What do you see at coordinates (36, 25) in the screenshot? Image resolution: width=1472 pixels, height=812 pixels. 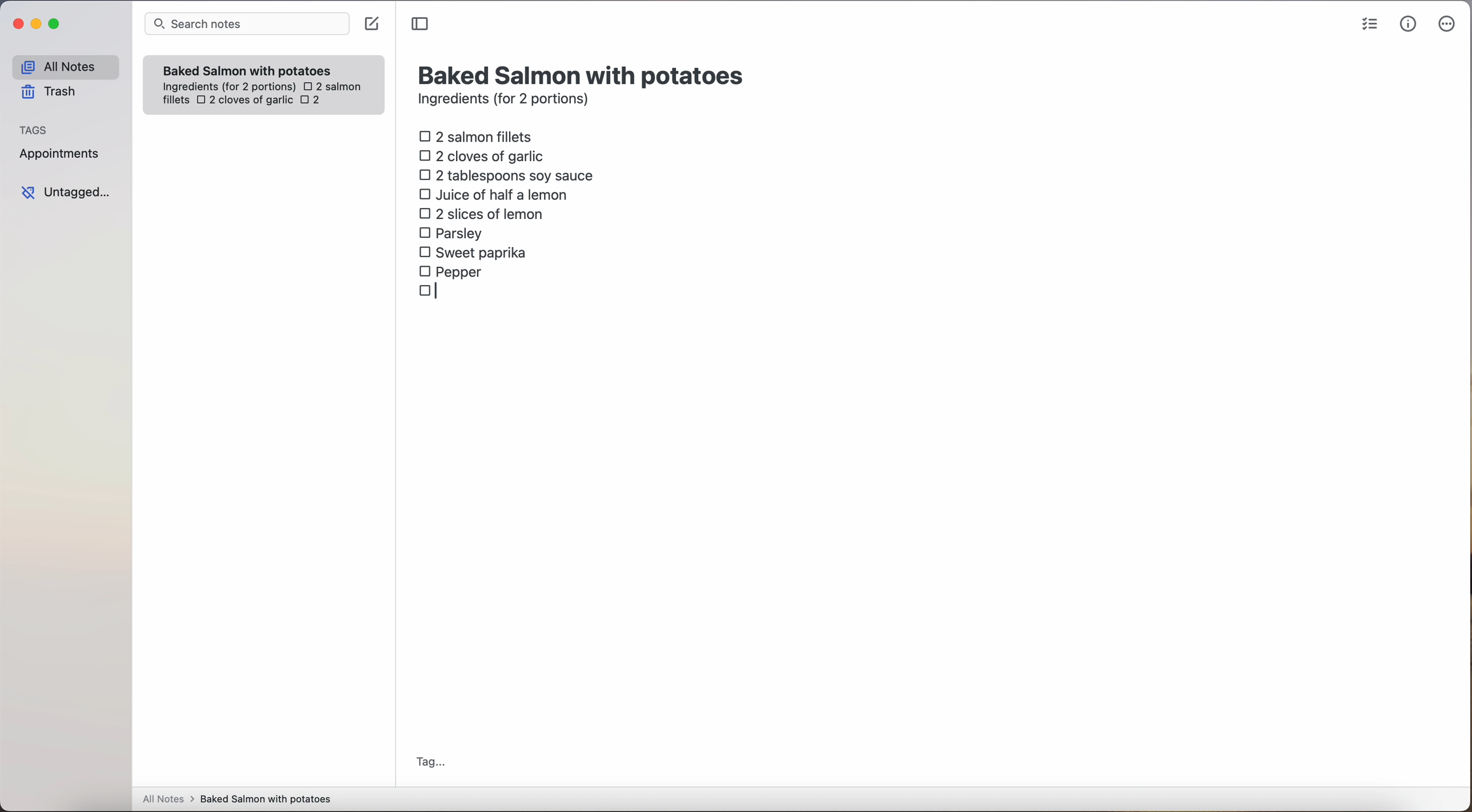 I see `minimize Simplenote` at bounding box center [36, 25].